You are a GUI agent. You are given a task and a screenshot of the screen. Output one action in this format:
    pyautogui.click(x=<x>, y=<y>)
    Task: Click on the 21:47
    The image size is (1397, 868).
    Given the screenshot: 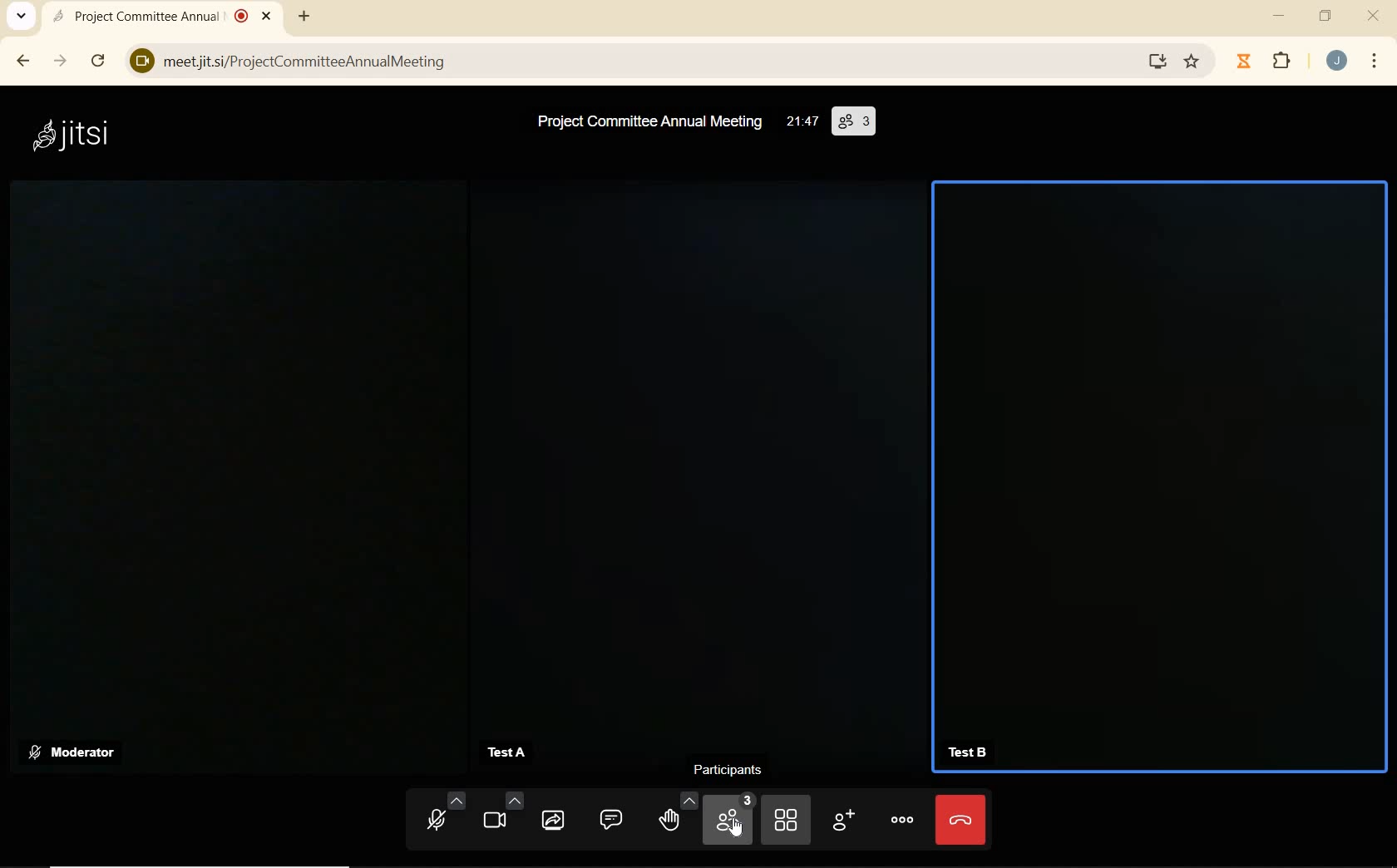 What is the action you would take?
    pyautogui.click(x=802, y=123)
    